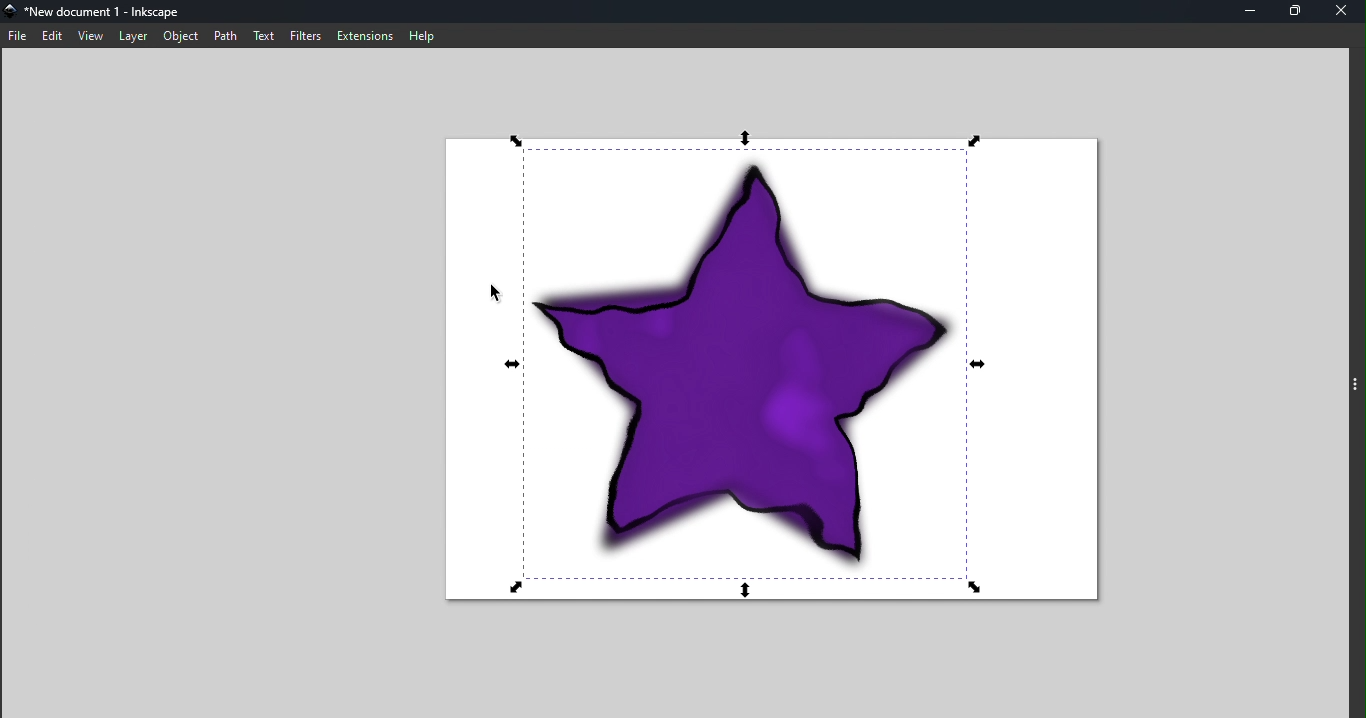 The height and width of the screenshot is (718, 1366). Describe the element at coordinates (304, 35) in the screenshot. I see `Filters` at that location.